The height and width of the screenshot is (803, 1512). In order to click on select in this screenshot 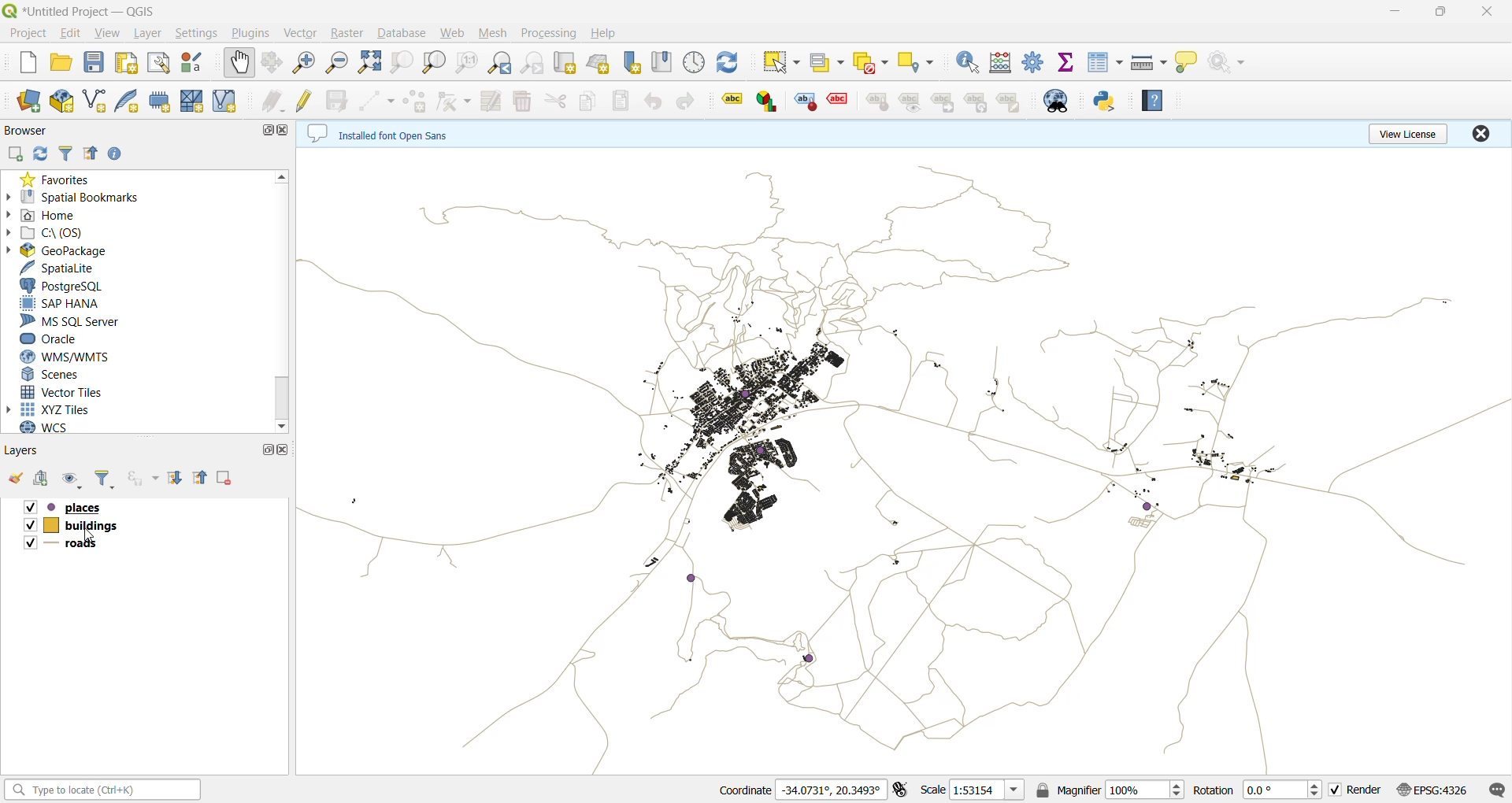, I will do `click(780, 62)`.